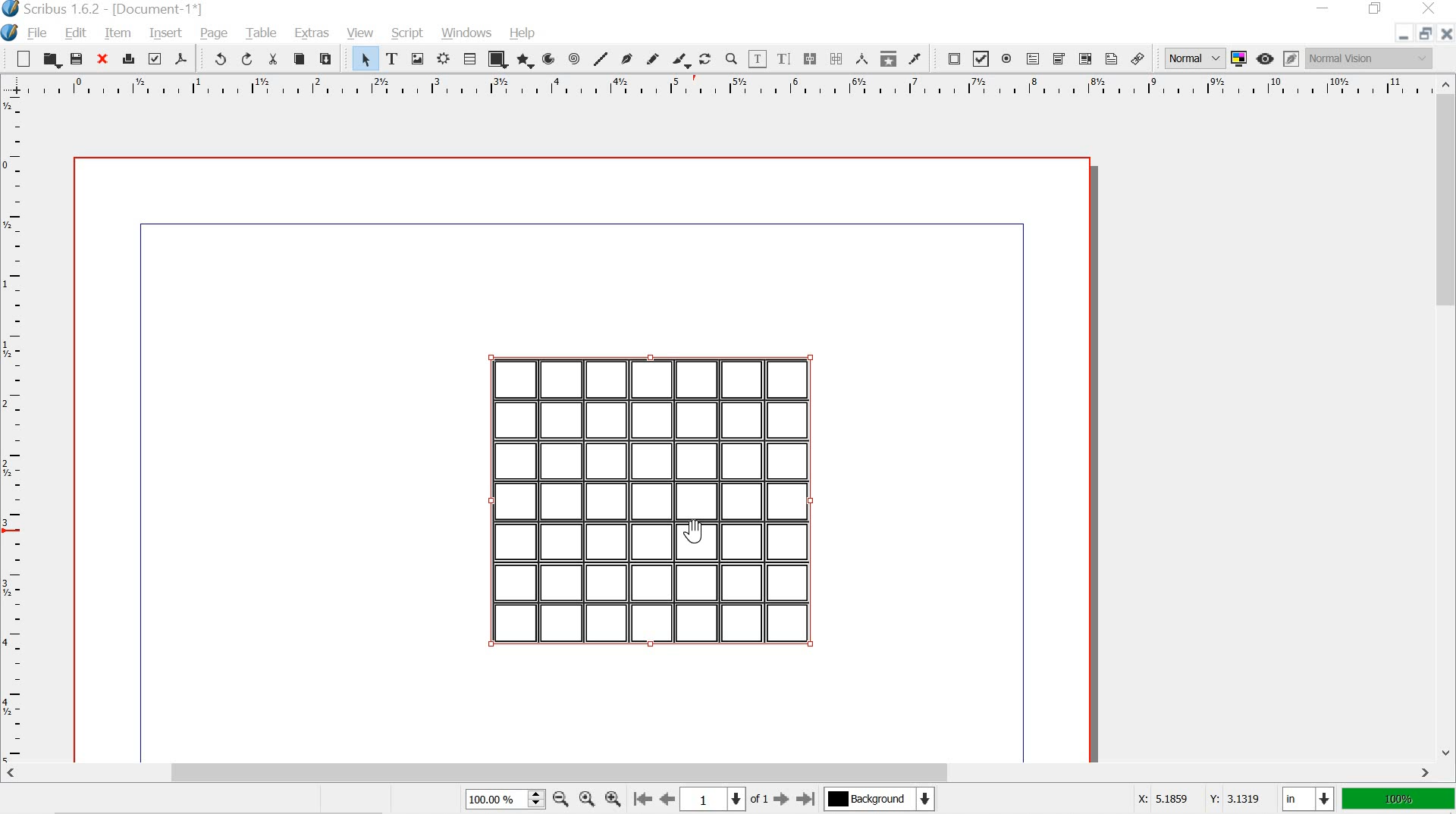 This screenshot has width=1456, height=814. I want to click on table, so click(472, 58).